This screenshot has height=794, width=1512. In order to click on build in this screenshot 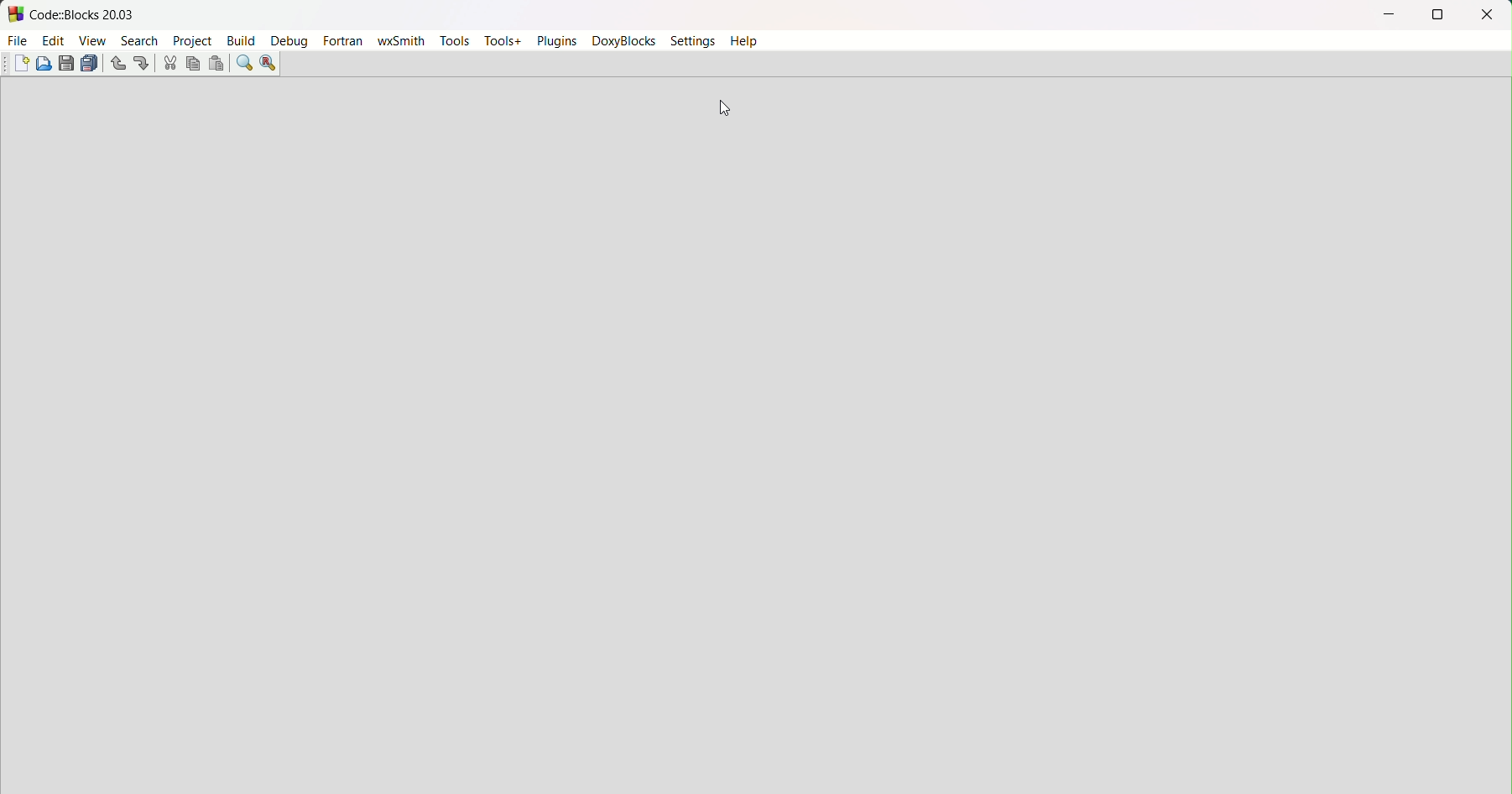, I will do `click(242, 40)`.